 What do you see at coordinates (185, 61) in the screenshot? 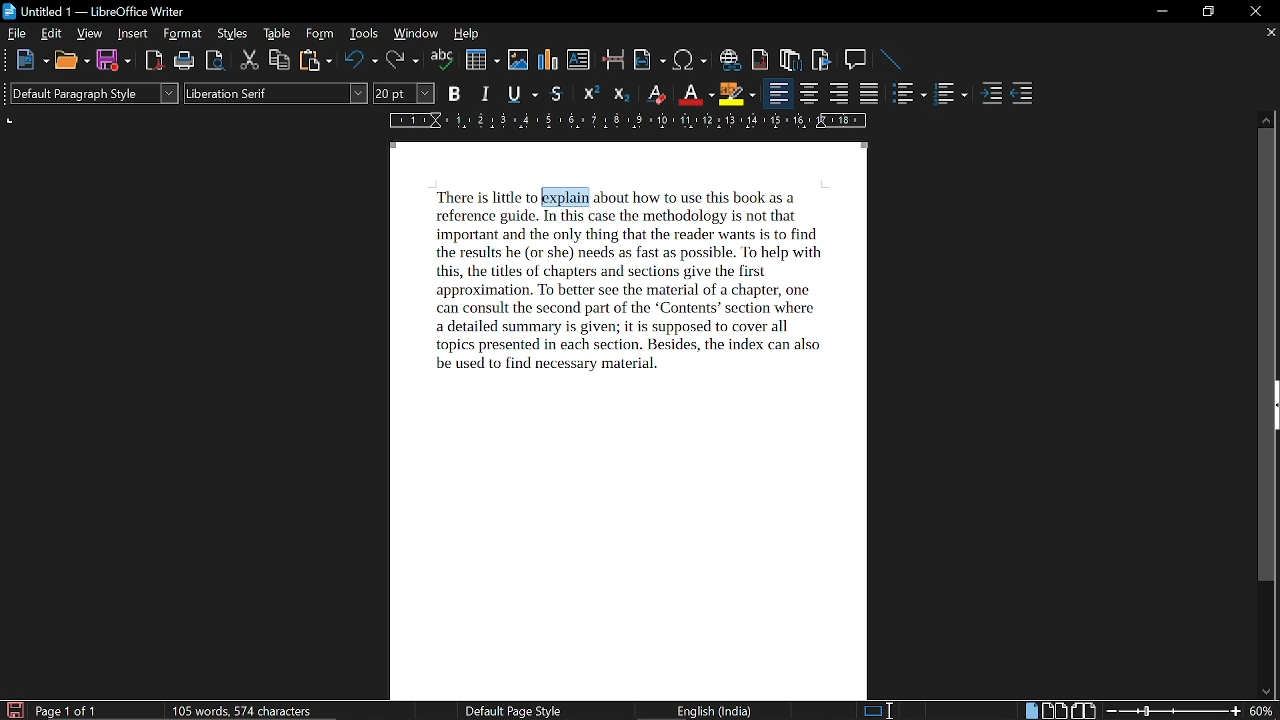
I see `print` at bounding box center [185, 61].